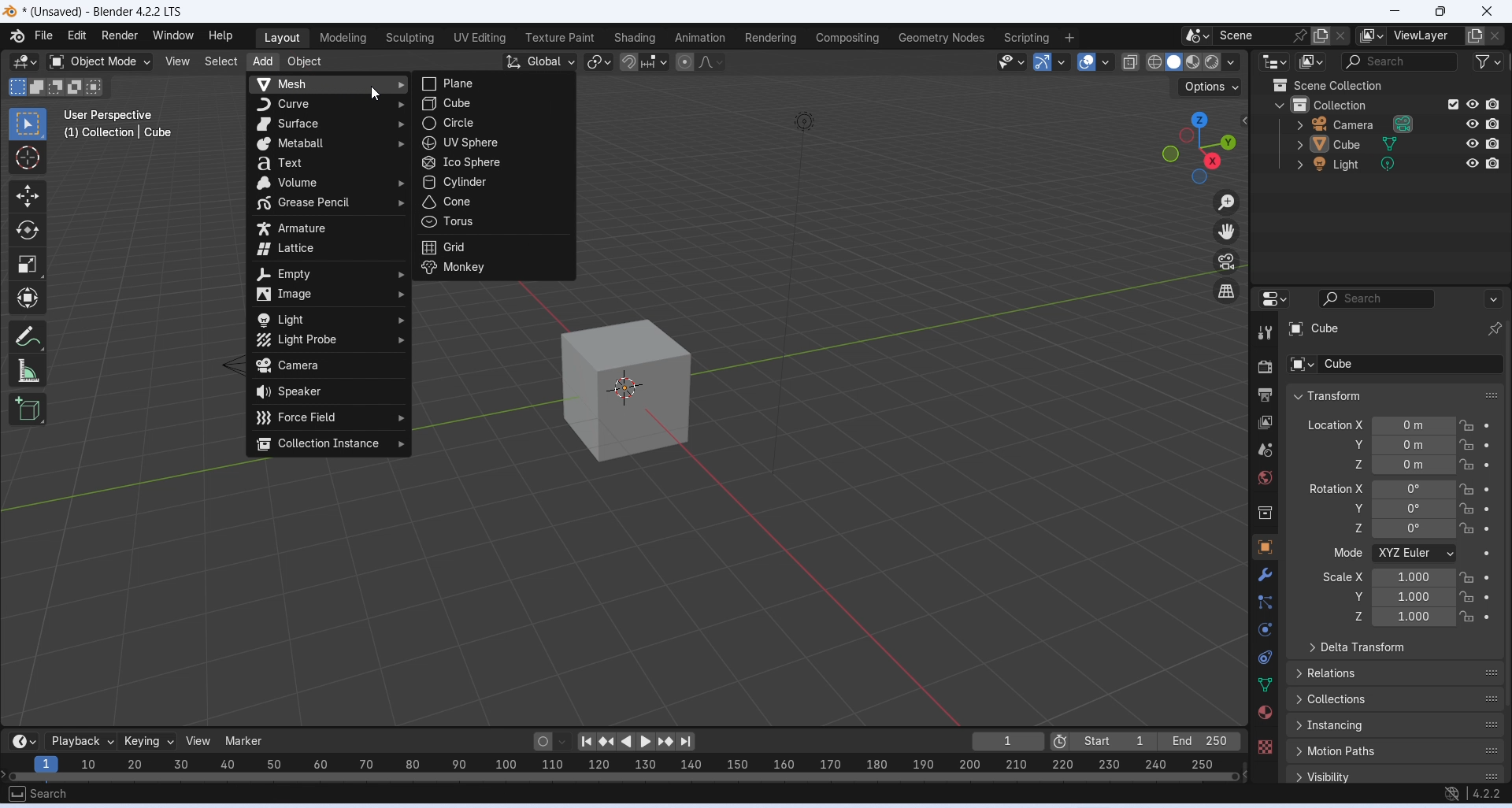 Image resolution: width=1512 pixels, height=808 pixels. I want to click on transform, so click(1395, 395).